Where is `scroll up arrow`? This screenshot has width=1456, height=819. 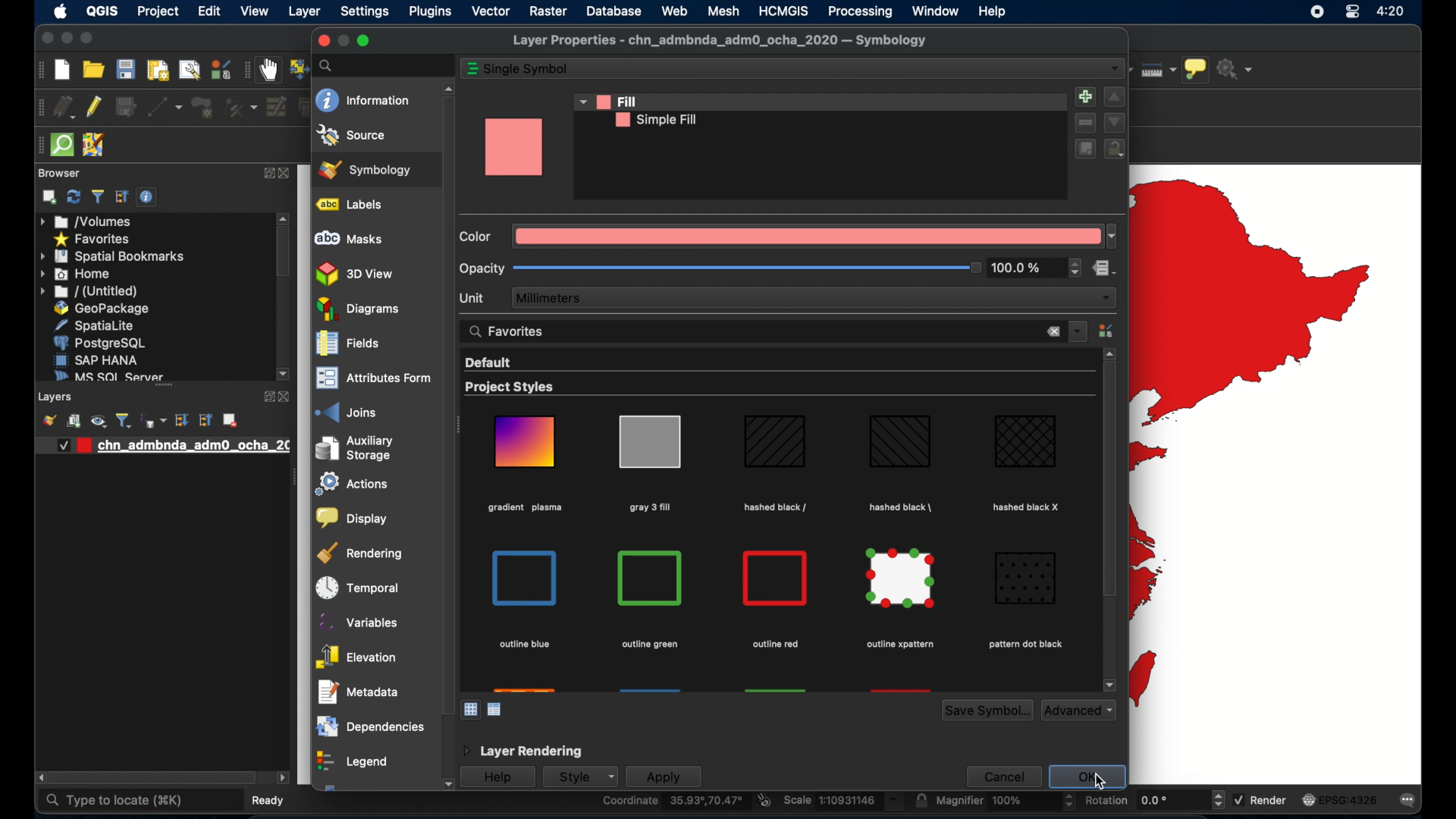
scroll up arrow is located at coordinates (284, 217).